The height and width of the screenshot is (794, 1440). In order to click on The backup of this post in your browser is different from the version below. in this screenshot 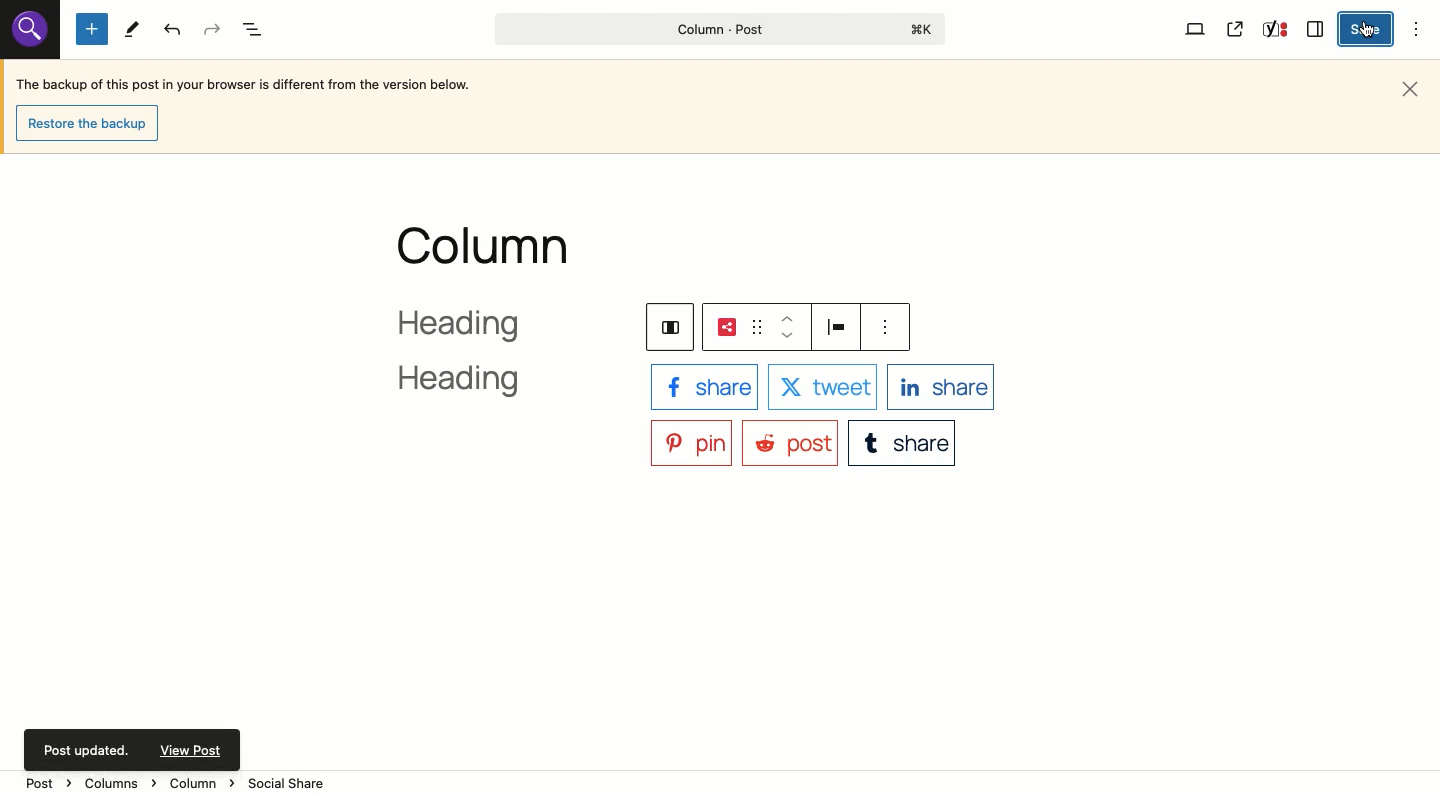, I will do `click(245, 87)`.